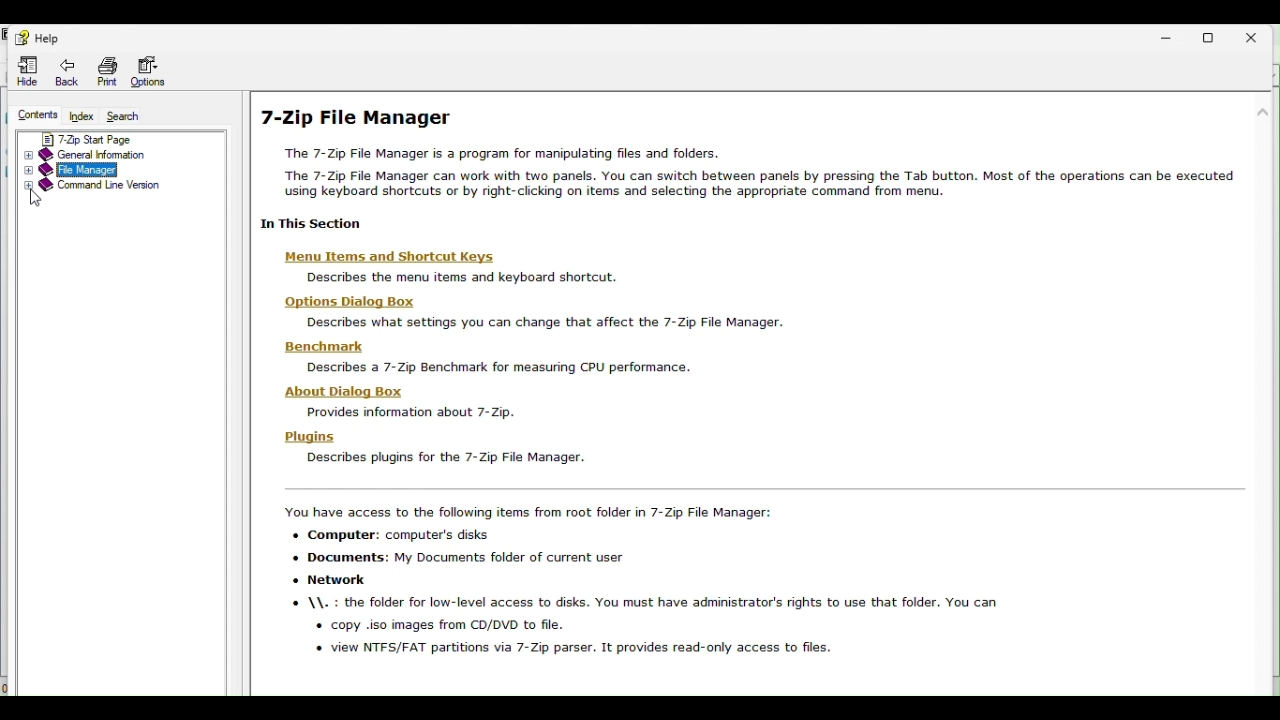 The width and height of the screenshot is (1280, 720). Describe the element at coordinates (106, 69) in the screenshot. I see `Print` at that location.